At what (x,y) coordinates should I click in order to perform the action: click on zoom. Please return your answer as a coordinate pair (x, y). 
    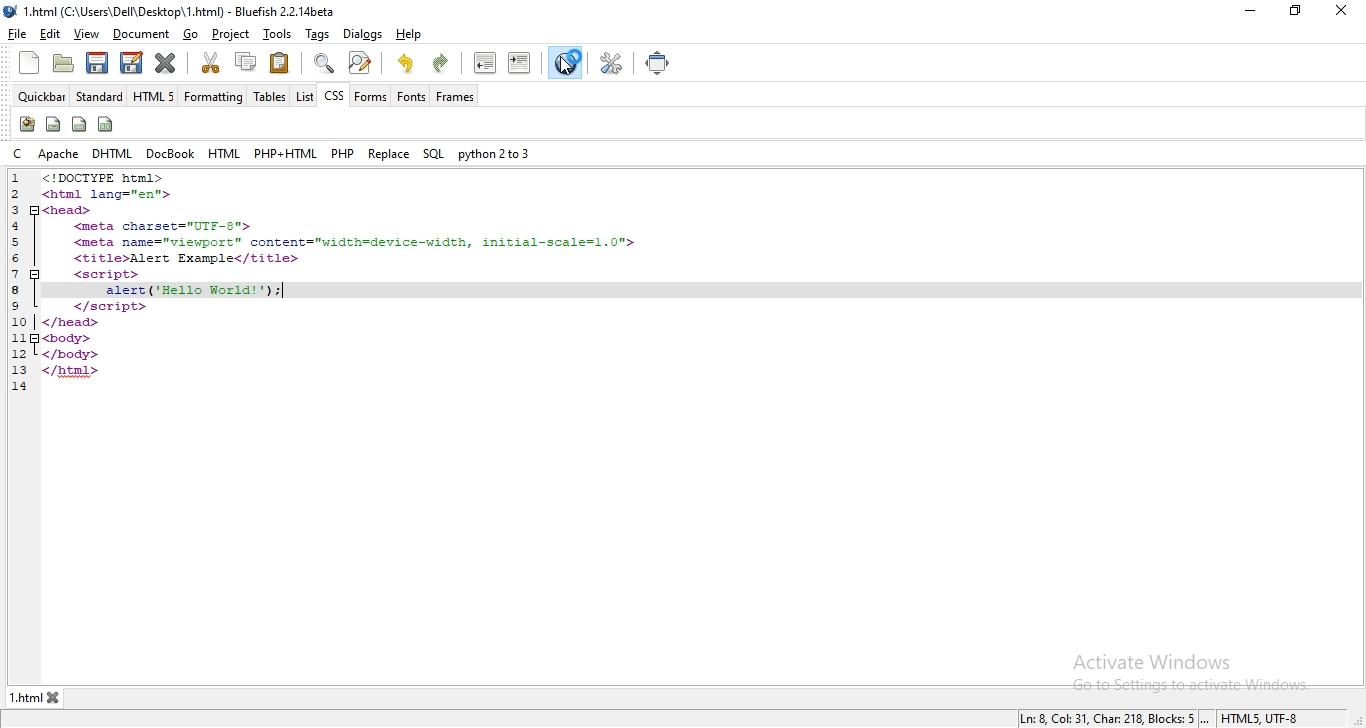
    Looking at the image, I should click on (321, 63).